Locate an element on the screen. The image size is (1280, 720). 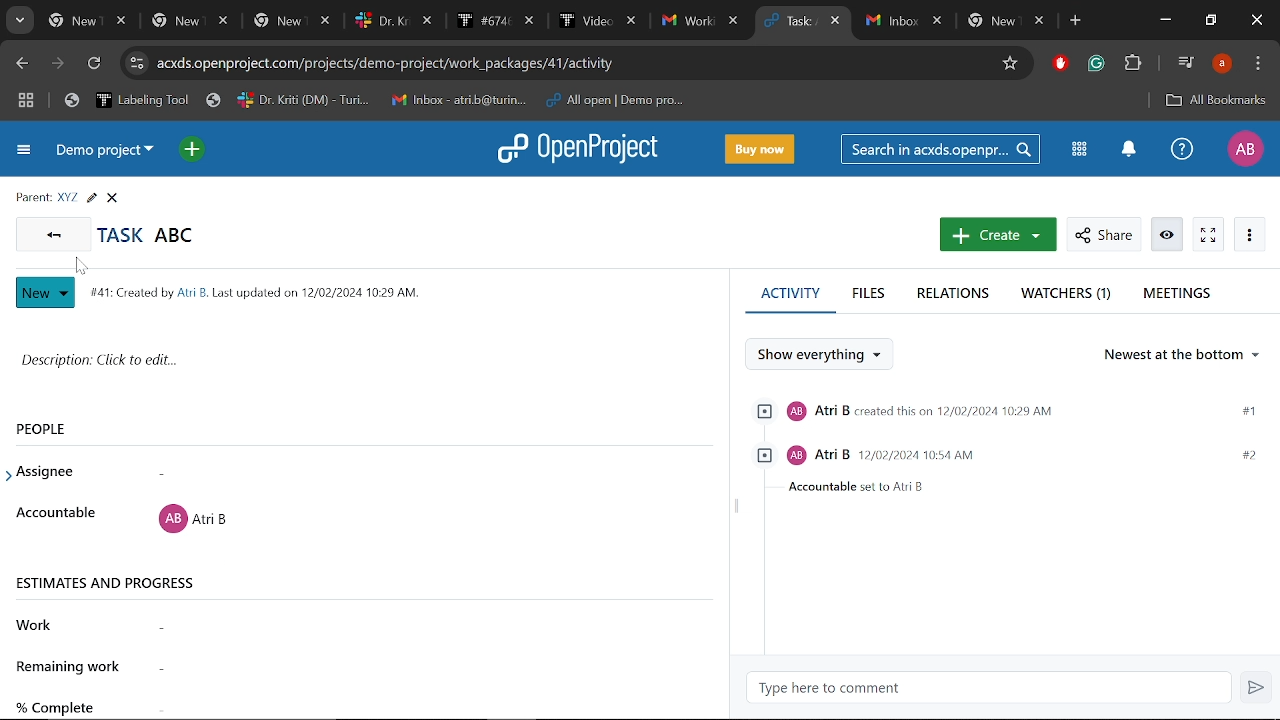
Search tabs is located at coordinates (18, 21).